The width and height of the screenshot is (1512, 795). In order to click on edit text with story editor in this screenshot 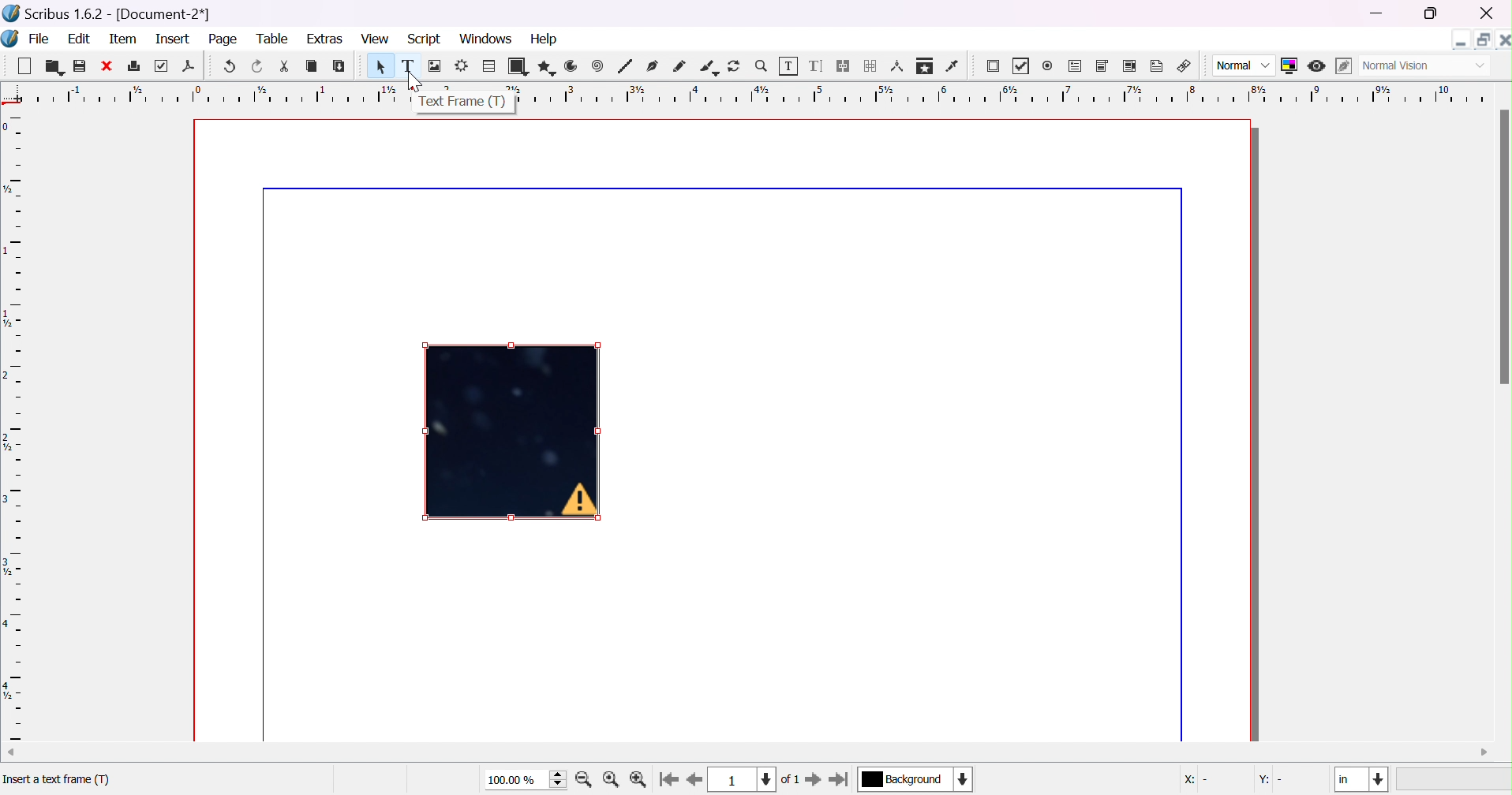, I will do `click(818, 66)`.